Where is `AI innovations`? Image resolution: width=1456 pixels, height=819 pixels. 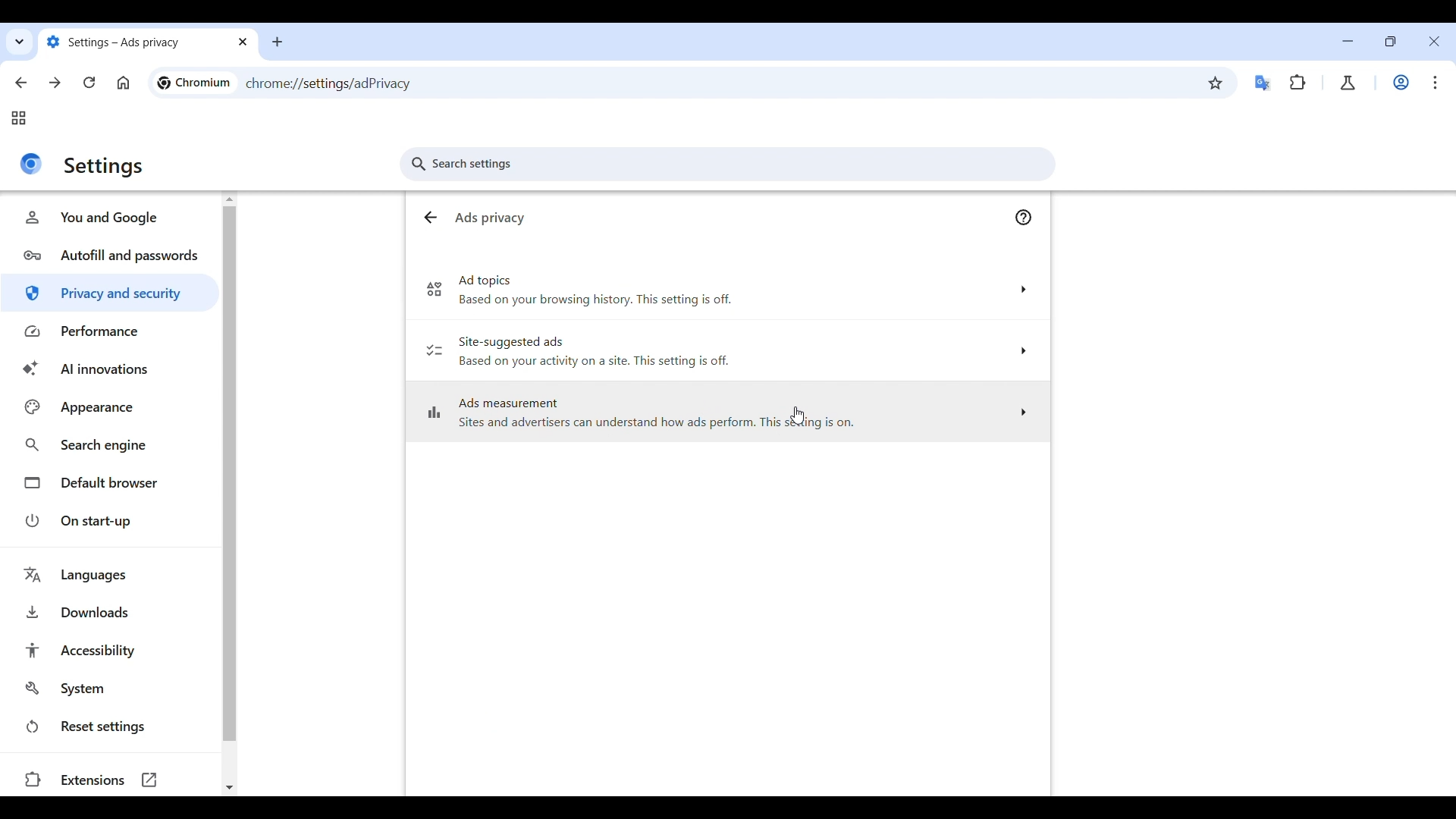
AI innovations is located at coordinates (109, 369).